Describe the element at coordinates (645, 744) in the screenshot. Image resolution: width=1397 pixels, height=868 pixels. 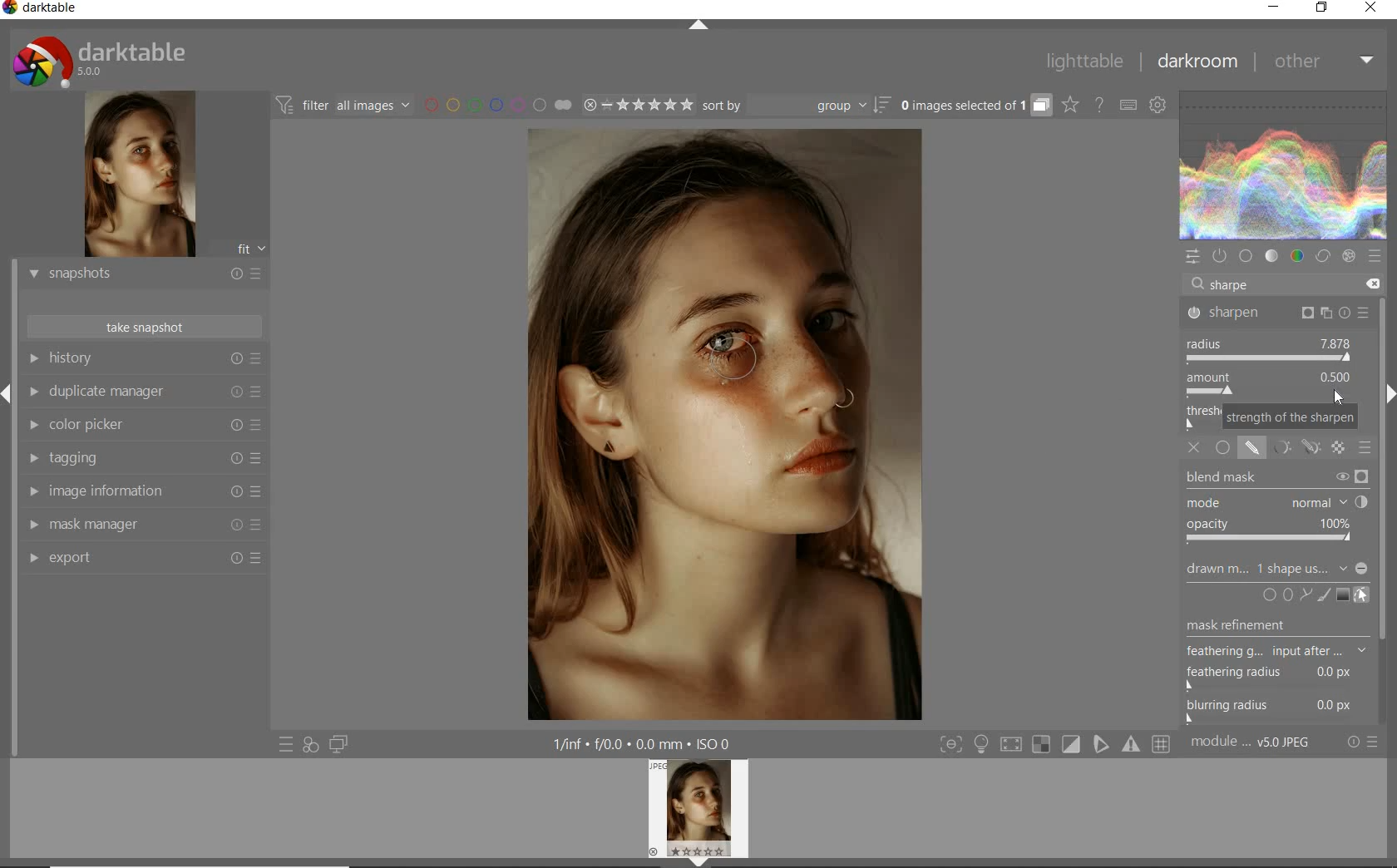
I see `other display information` at that location.